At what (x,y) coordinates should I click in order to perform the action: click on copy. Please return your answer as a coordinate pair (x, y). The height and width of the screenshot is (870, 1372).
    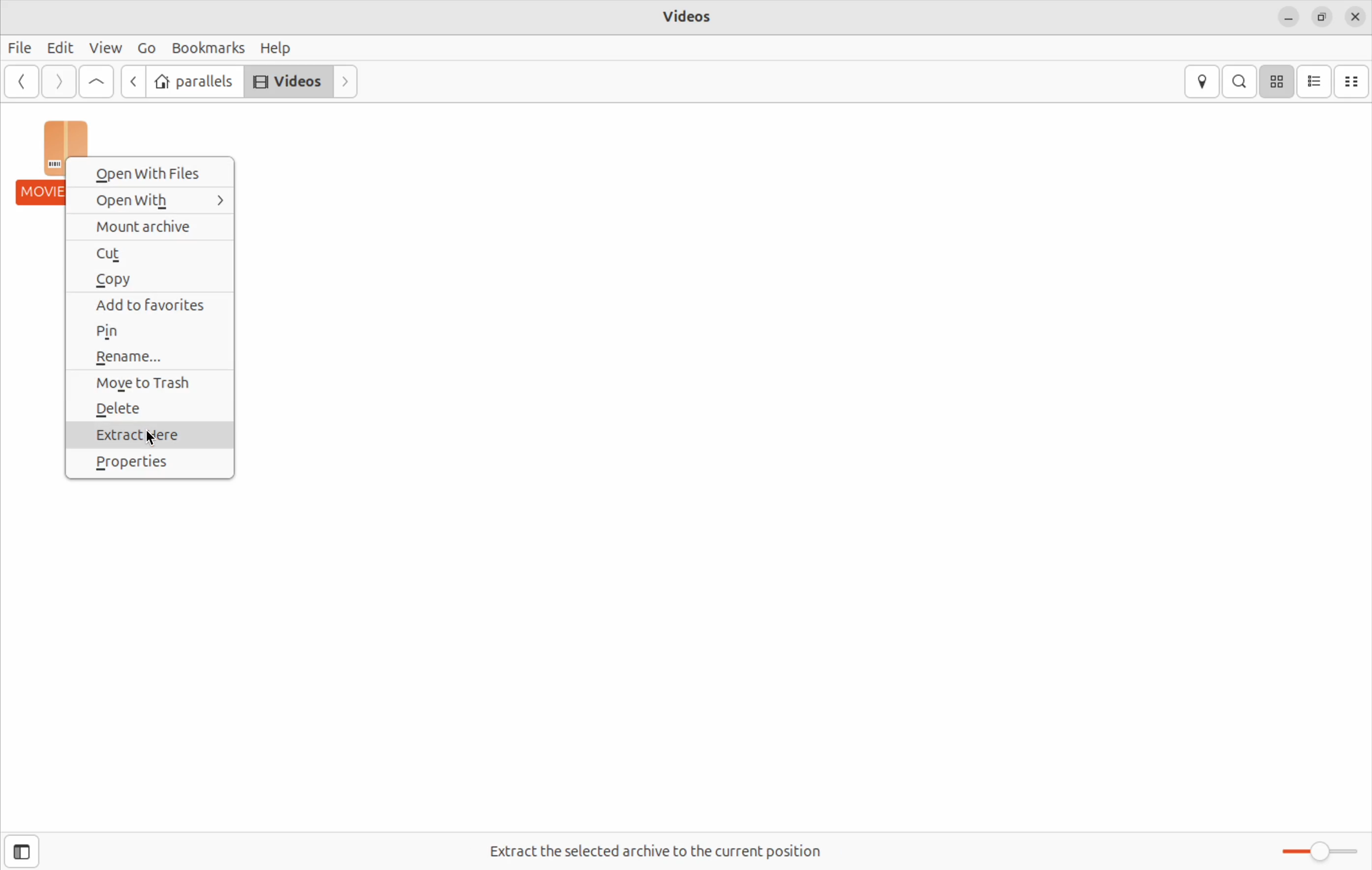
    Looking at the image, I should click on (156, 281).